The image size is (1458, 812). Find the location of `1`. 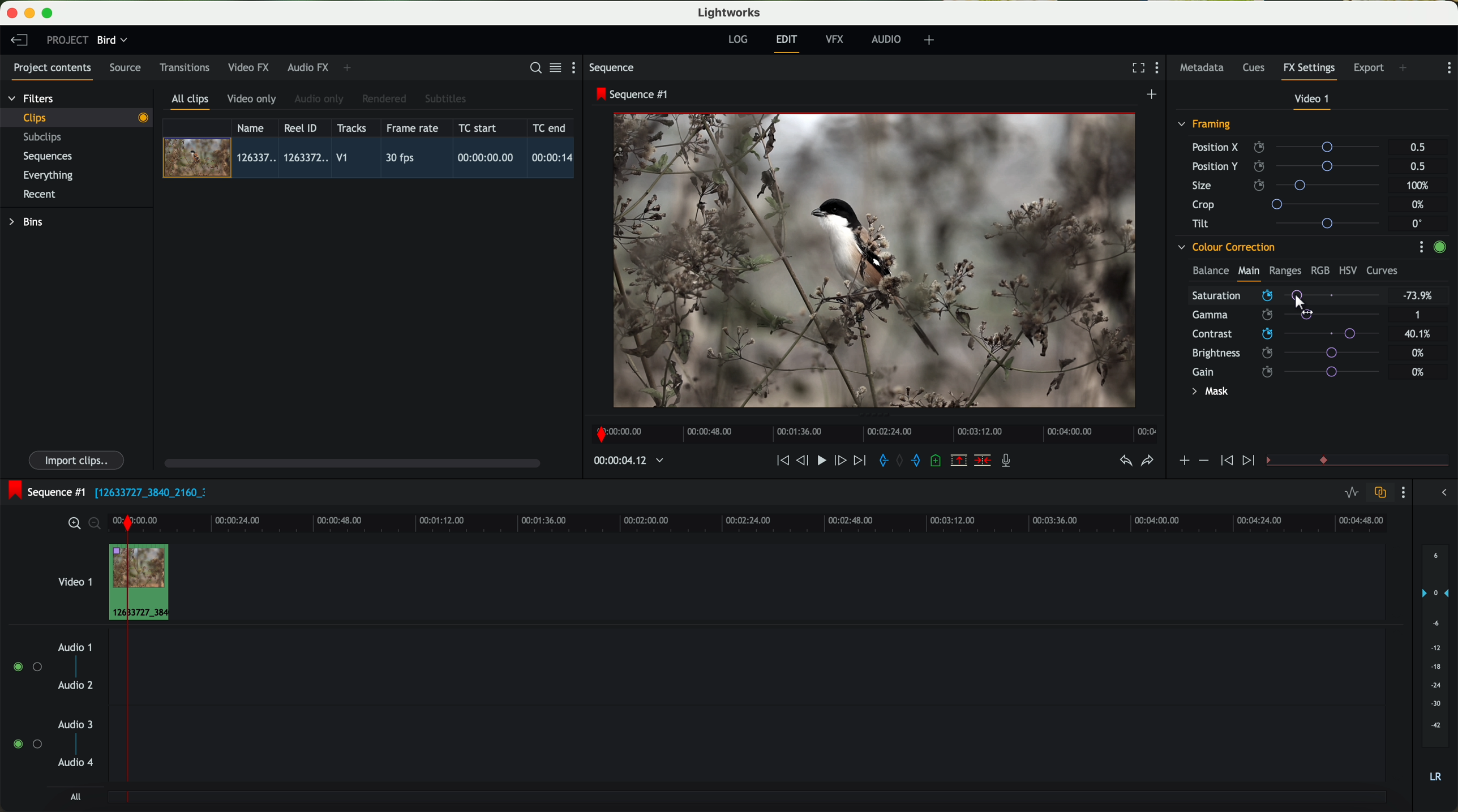

1 is located at coordinates (1418, 316).